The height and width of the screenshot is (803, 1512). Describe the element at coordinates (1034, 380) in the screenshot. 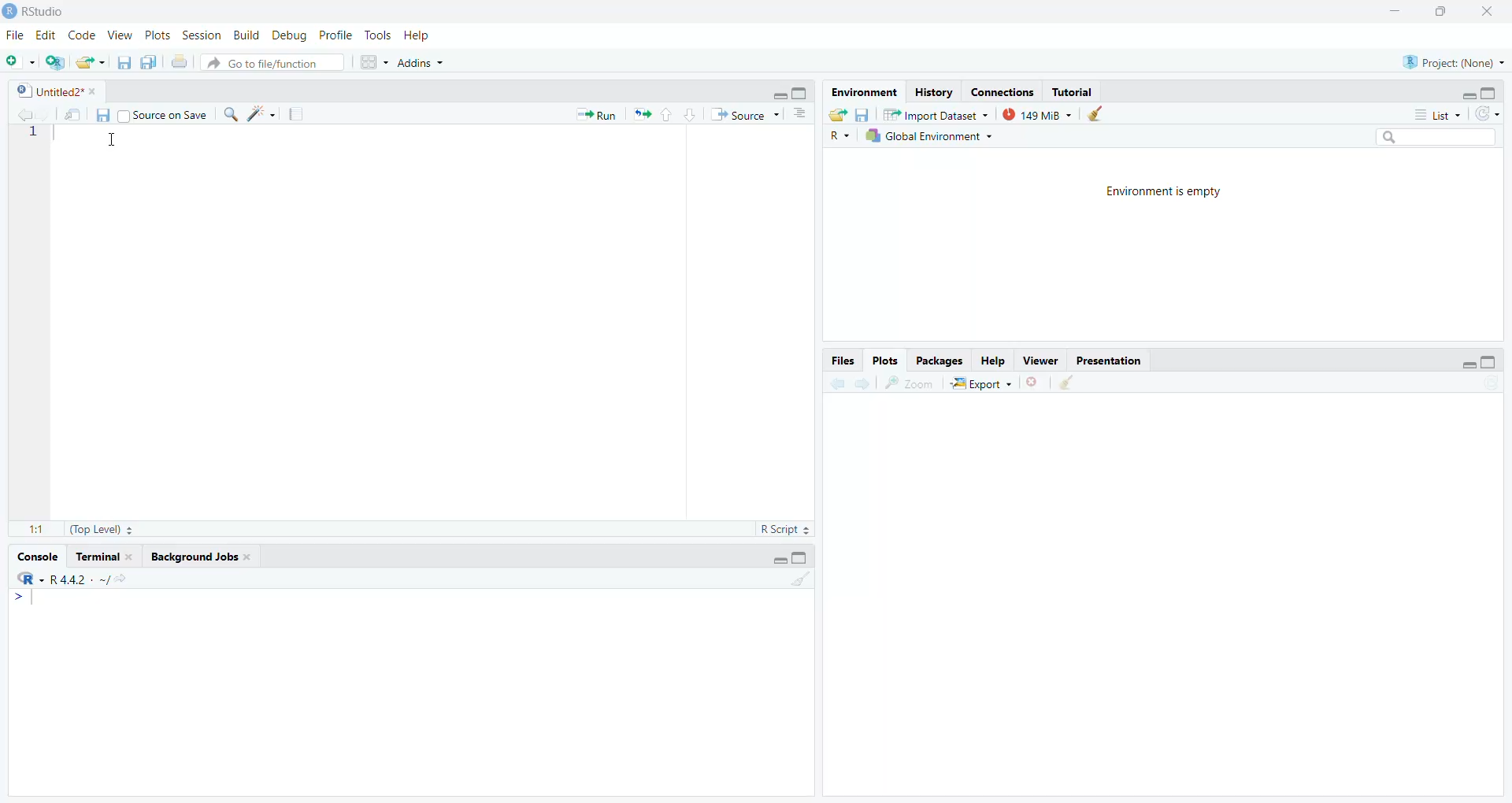

I see `Close` at that location.